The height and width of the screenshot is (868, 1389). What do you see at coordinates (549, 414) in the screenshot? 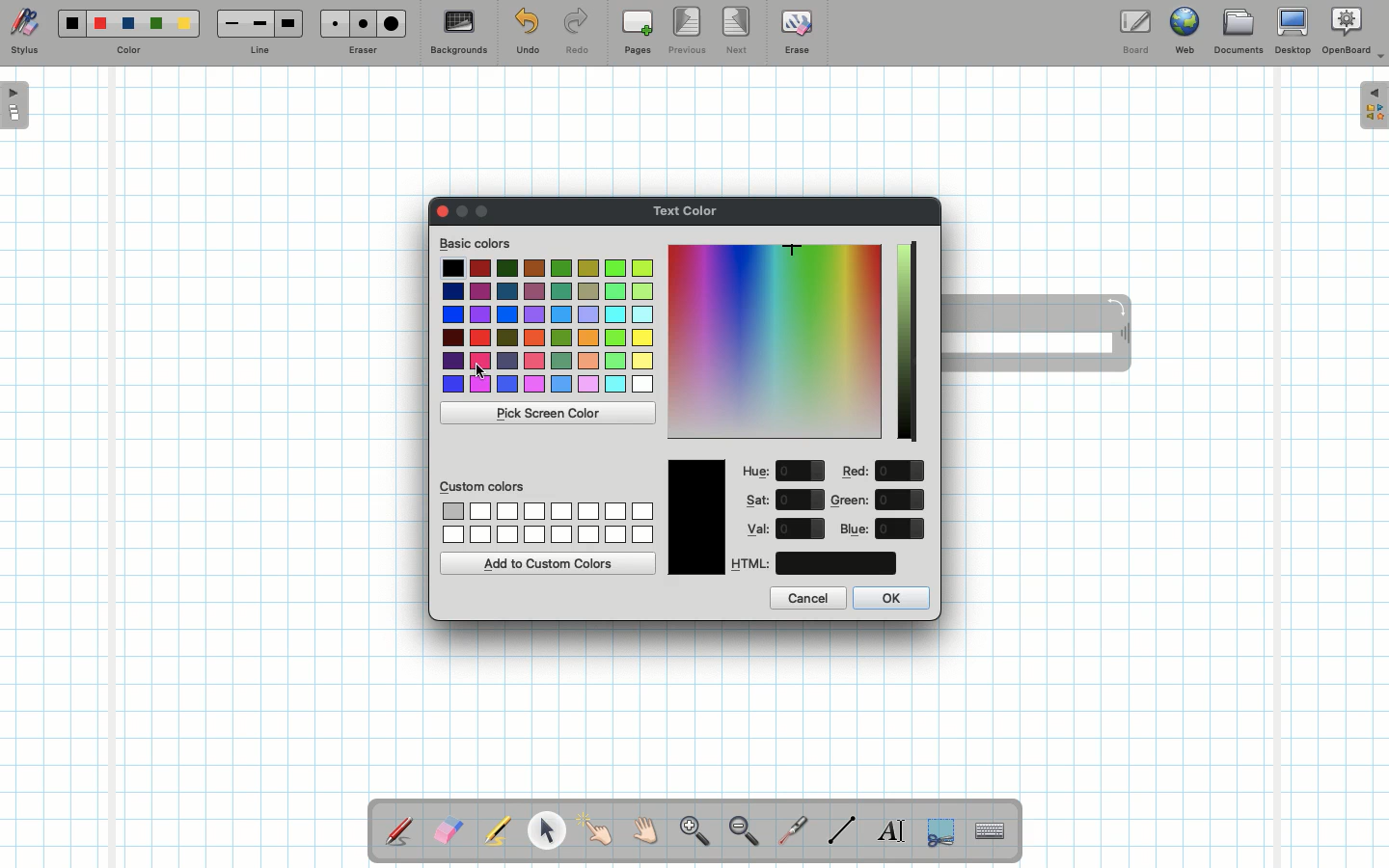
I see `Pick screen color` at bounding box center [549, 414].